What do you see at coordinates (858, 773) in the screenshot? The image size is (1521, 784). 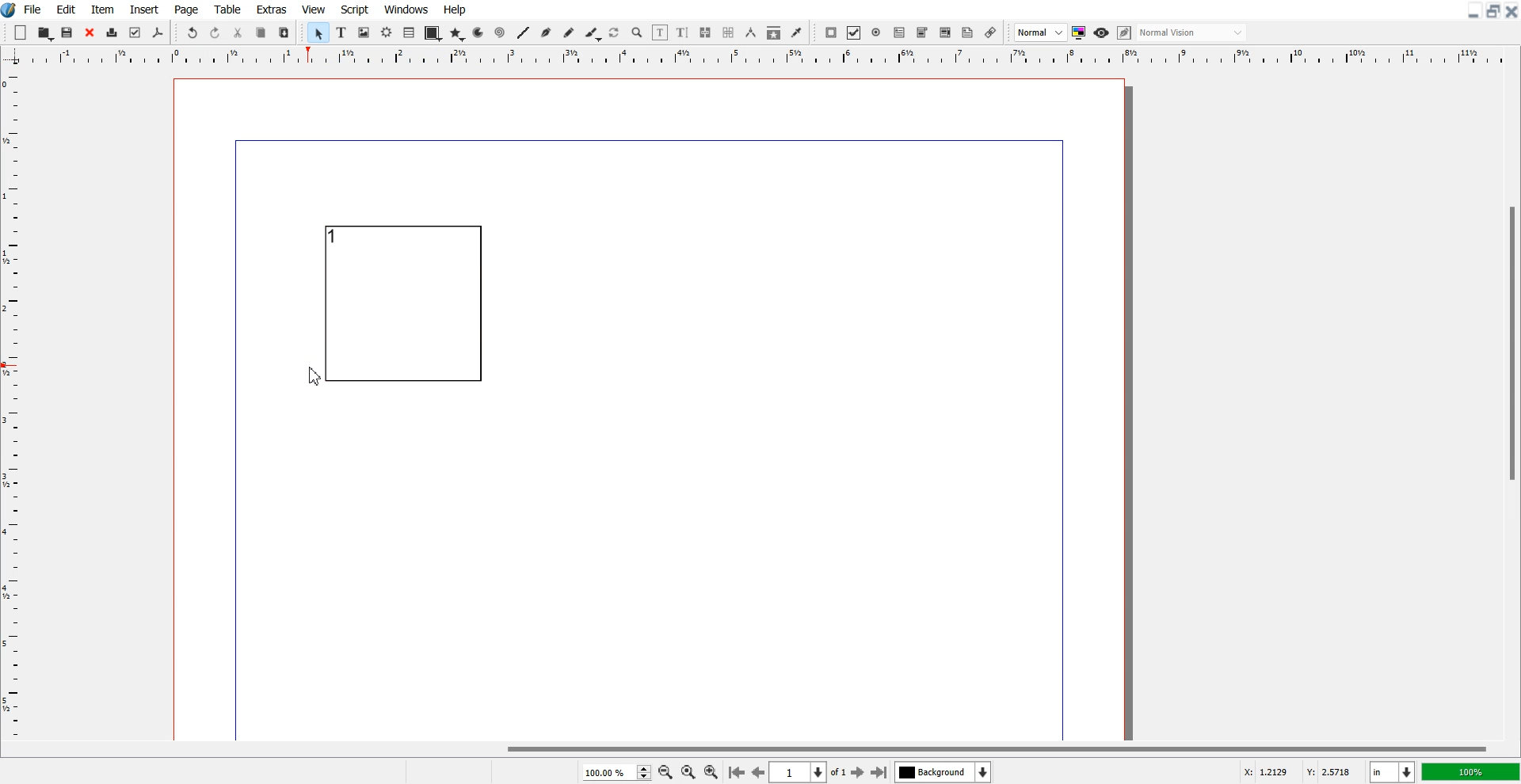 I see `Go to next Page` at bounding box center [858, 773].